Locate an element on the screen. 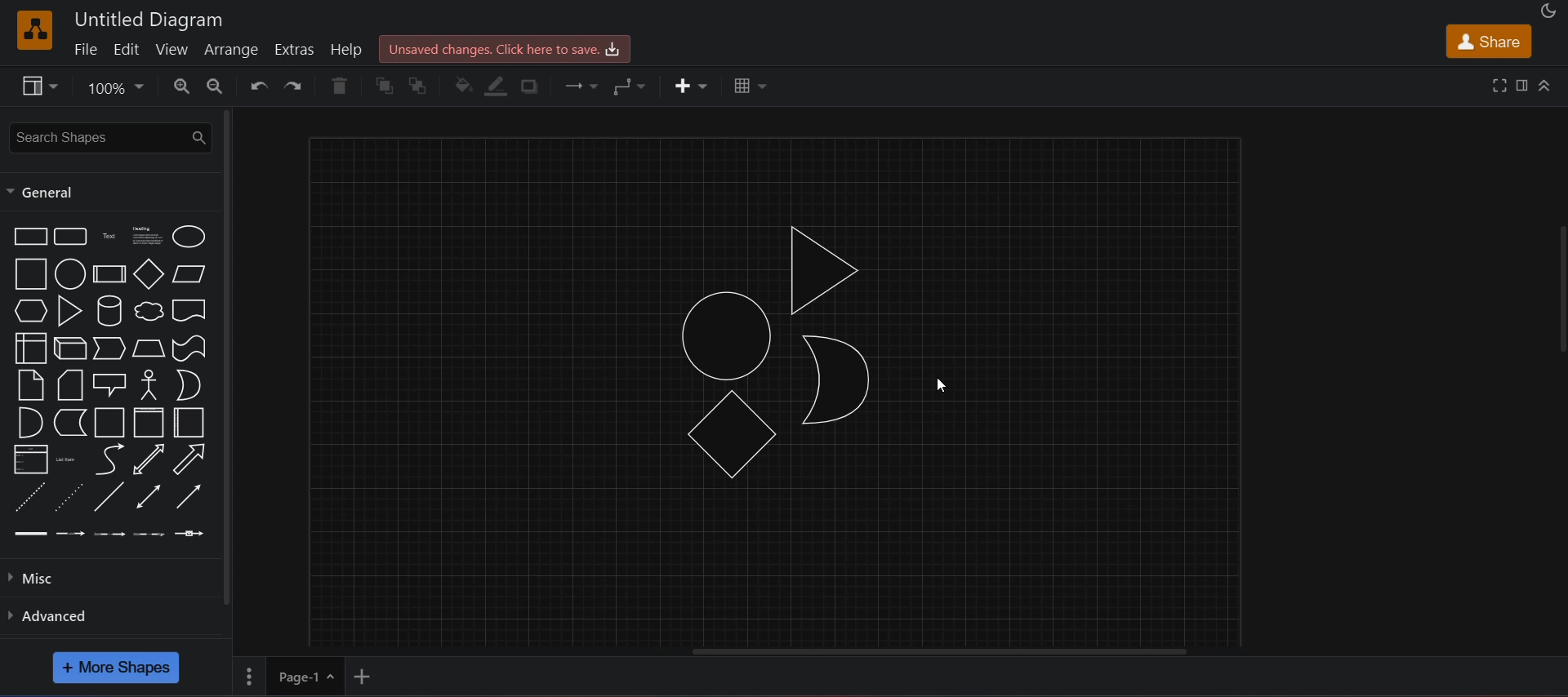  fullscreen is located at coordinates (1497, 85).